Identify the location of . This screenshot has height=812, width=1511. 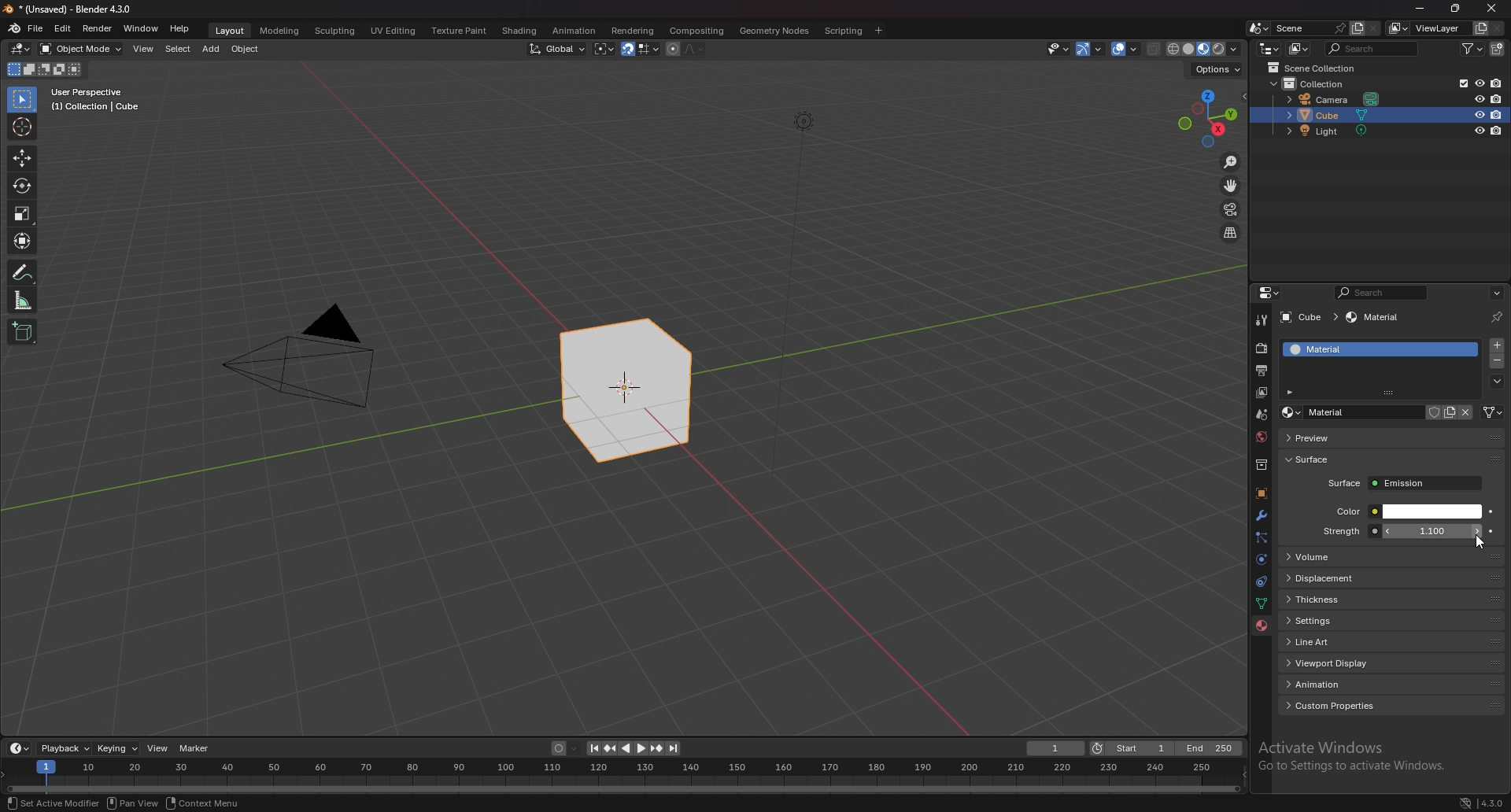
(1454, 802).